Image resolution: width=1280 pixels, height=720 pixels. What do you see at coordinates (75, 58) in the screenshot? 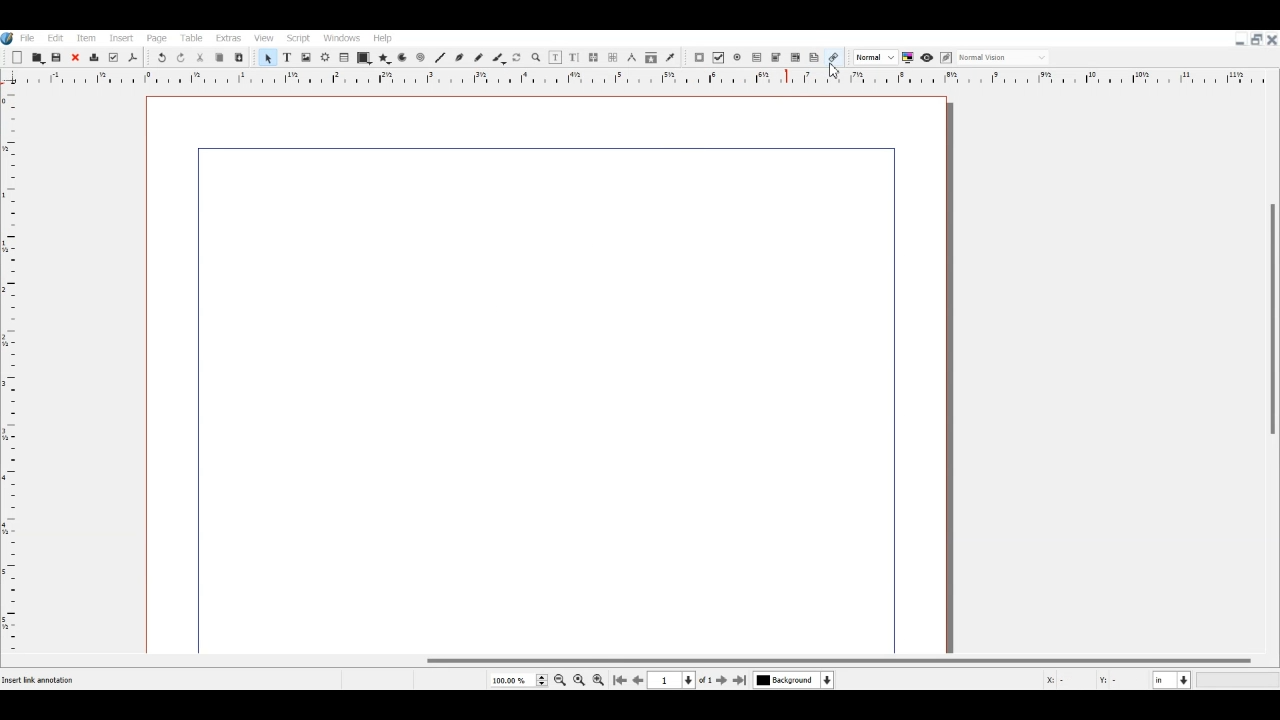
I see `Close` at bounding box center [75, 58].